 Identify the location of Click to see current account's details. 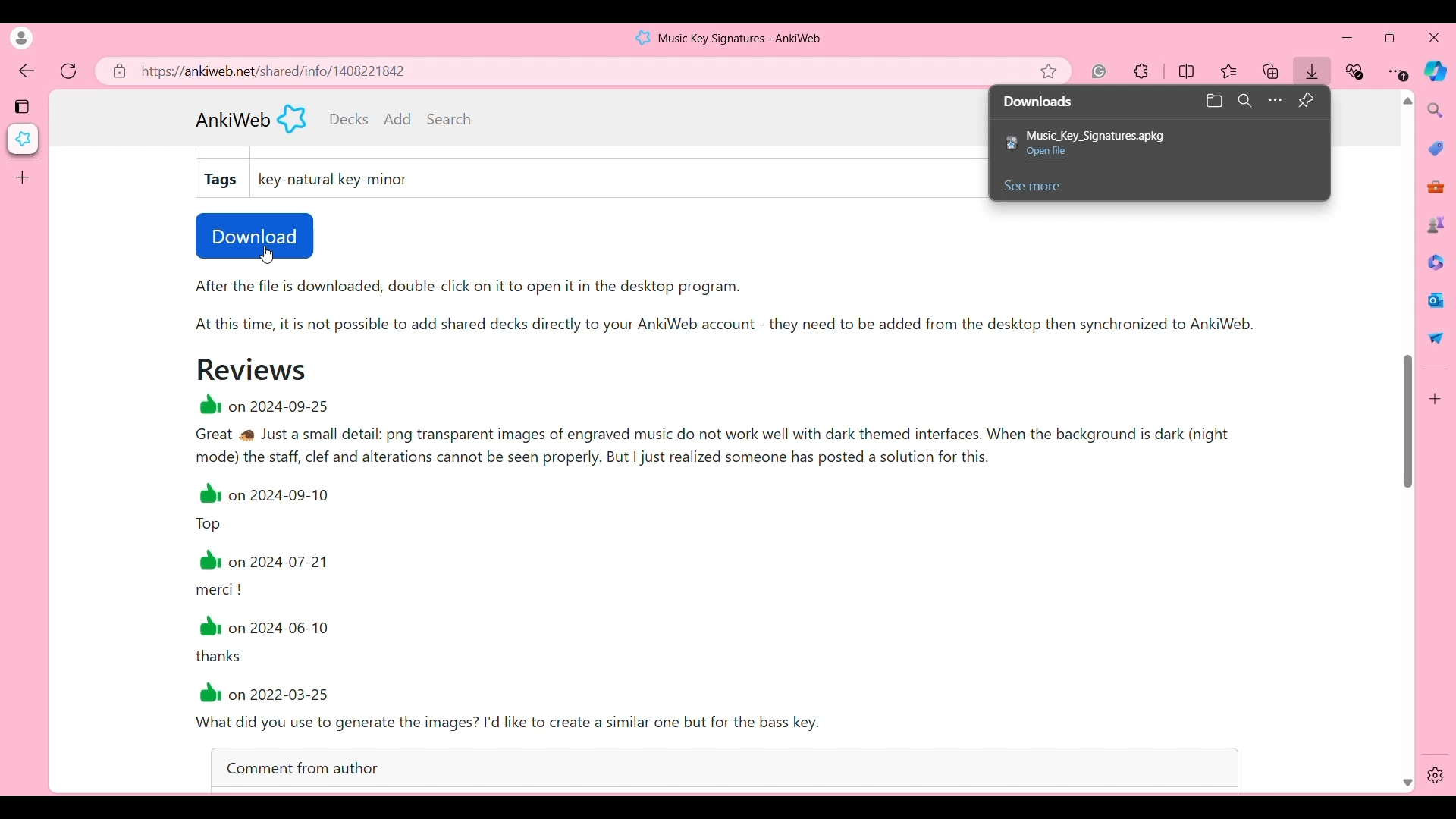
(21, 38).